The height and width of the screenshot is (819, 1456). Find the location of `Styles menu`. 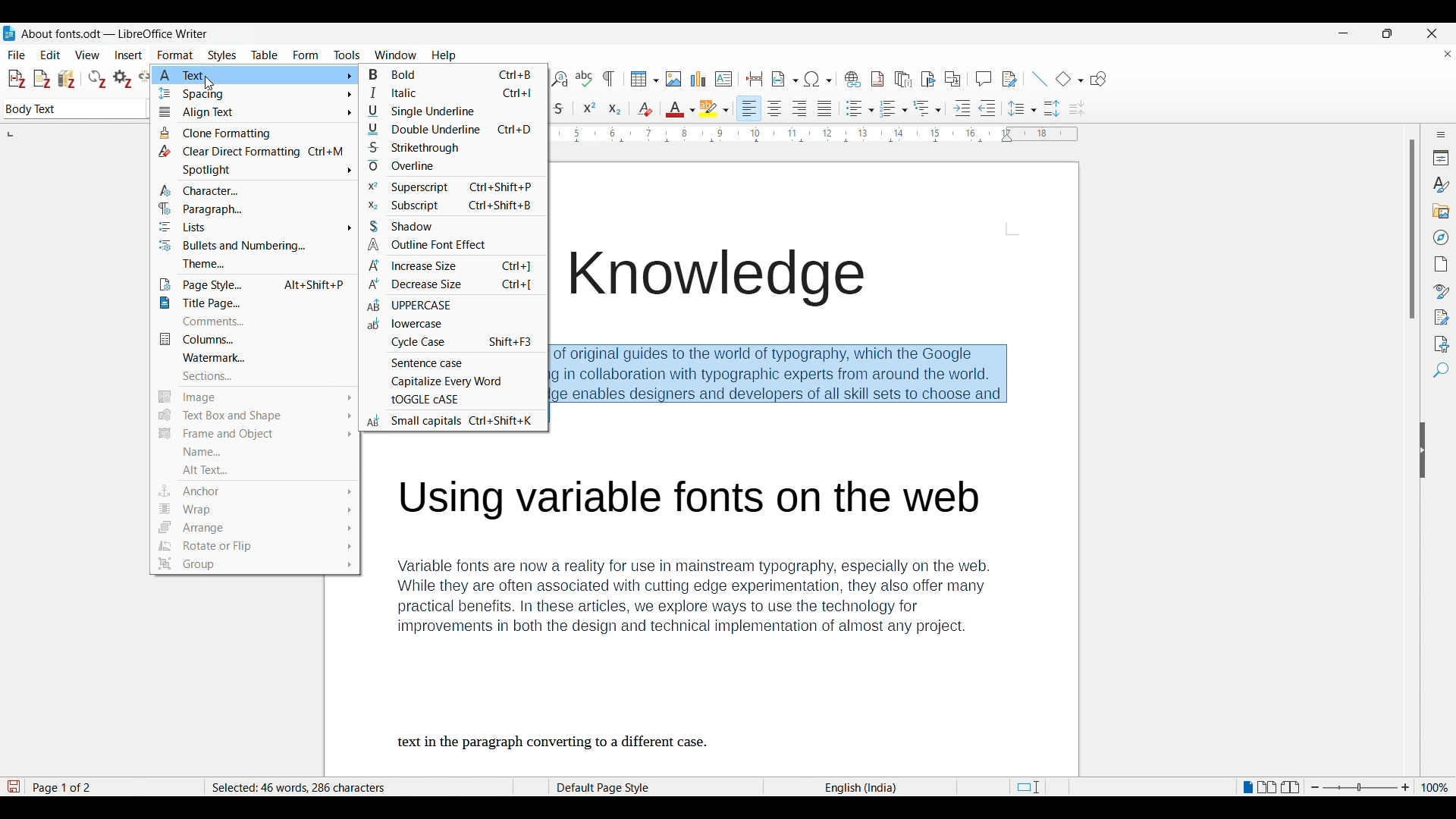

Styles menu is located at coordinates (222, 55).